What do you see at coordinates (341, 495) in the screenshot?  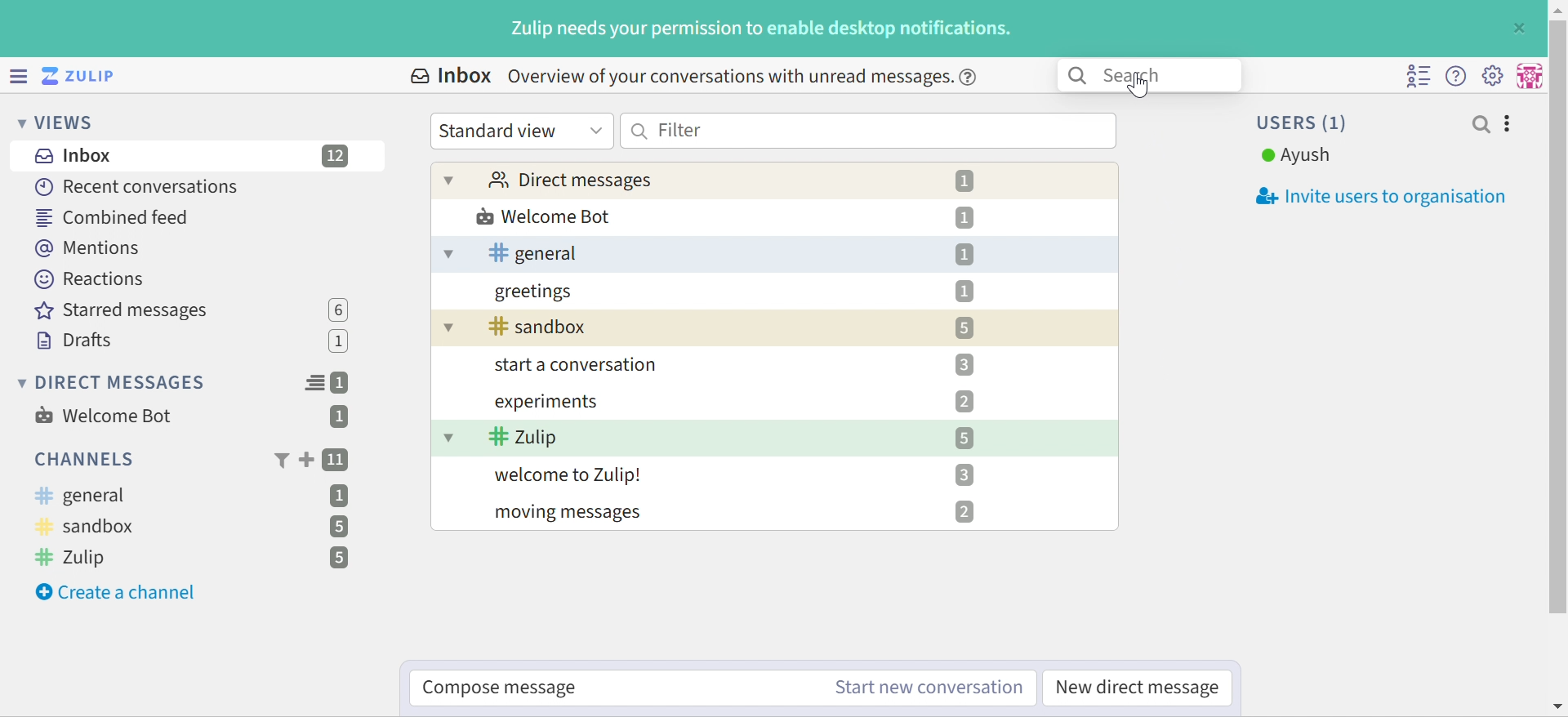 I see `1` at bounding box center [341, 495].